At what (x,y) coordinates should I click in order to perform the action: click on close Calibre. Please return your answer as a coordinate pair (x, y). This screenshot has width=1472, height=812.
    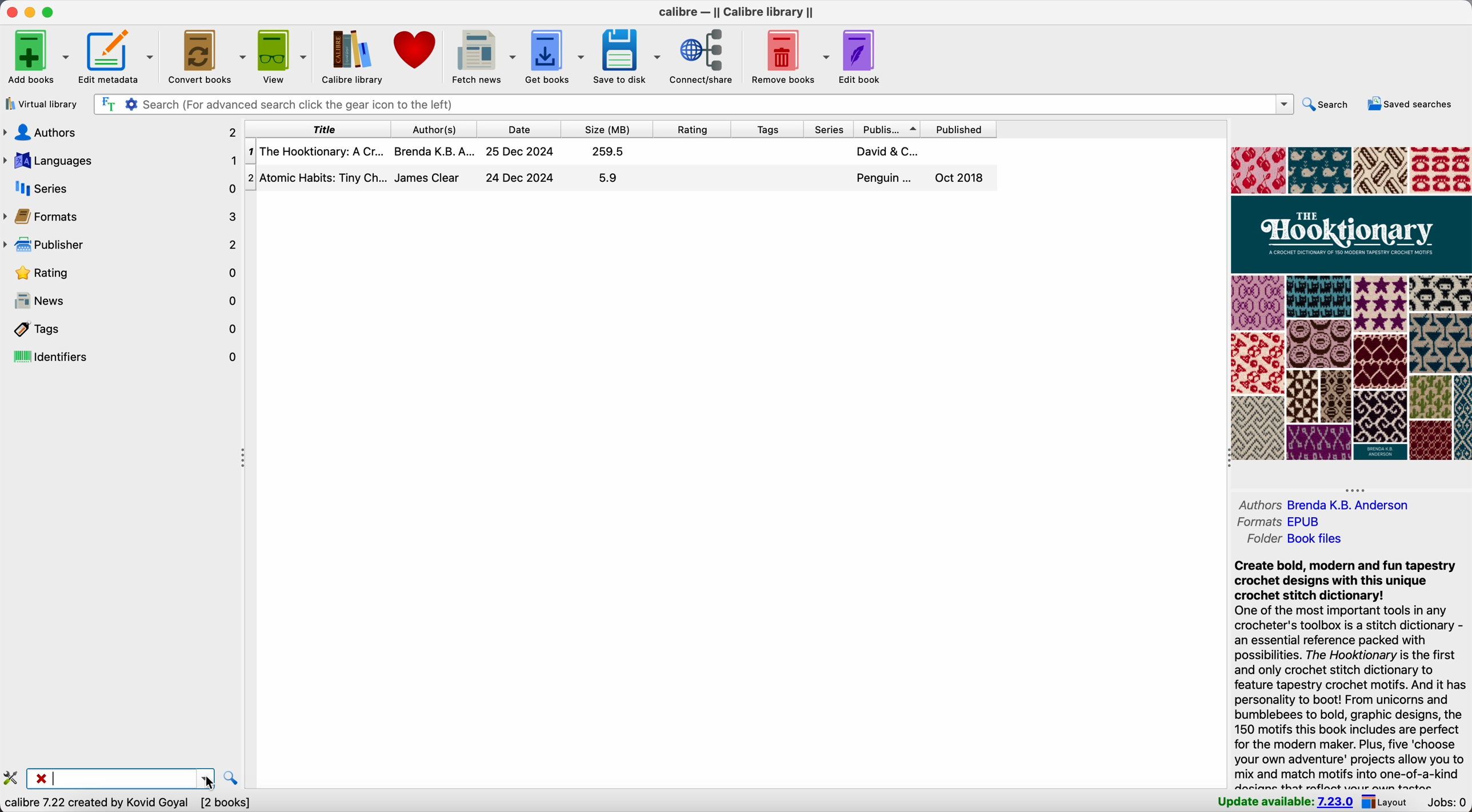
    Looking at the image, I should click on (9, 10).